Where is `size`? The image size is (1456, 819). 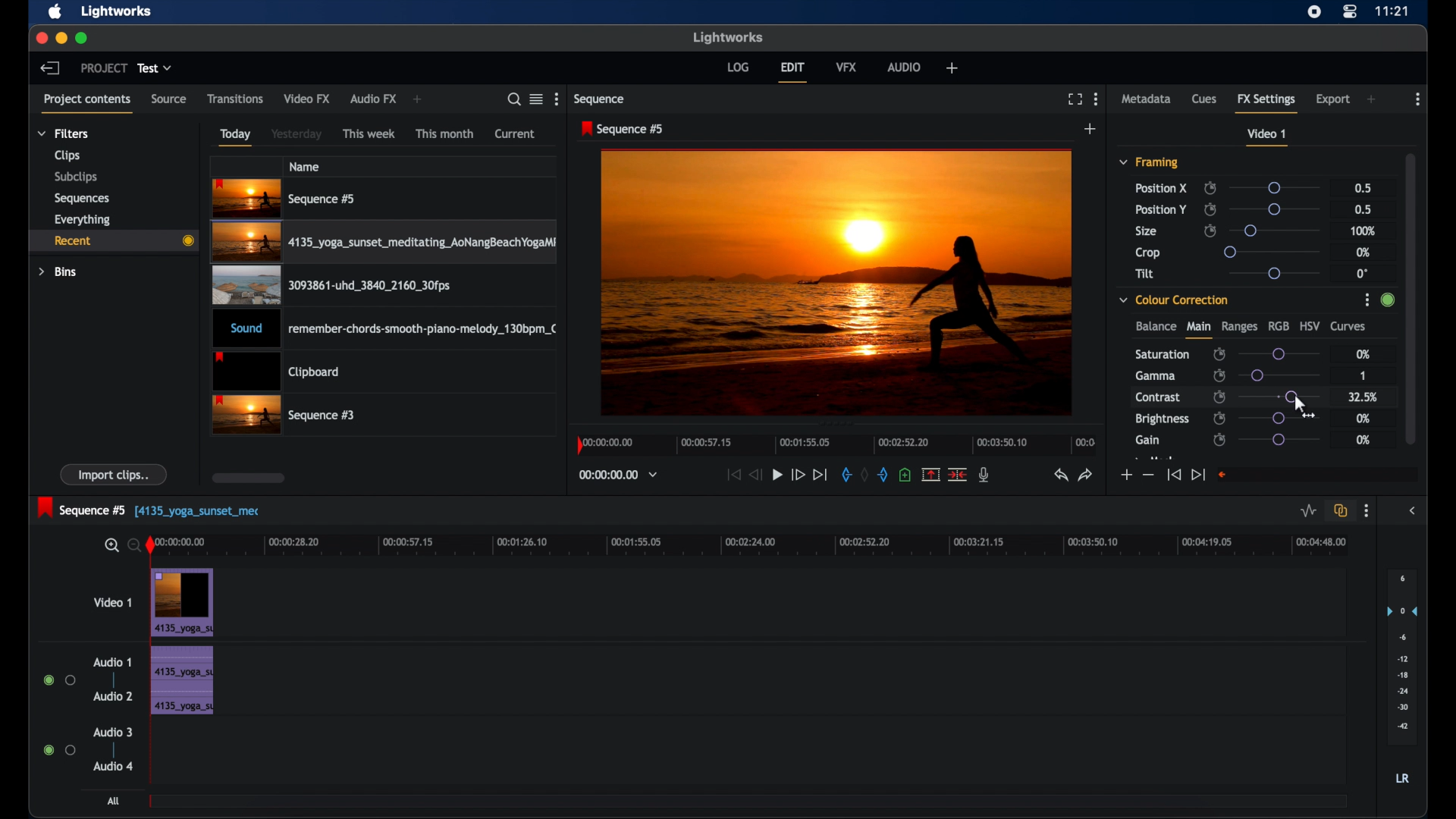 size is located at coordinates (1147, 231).